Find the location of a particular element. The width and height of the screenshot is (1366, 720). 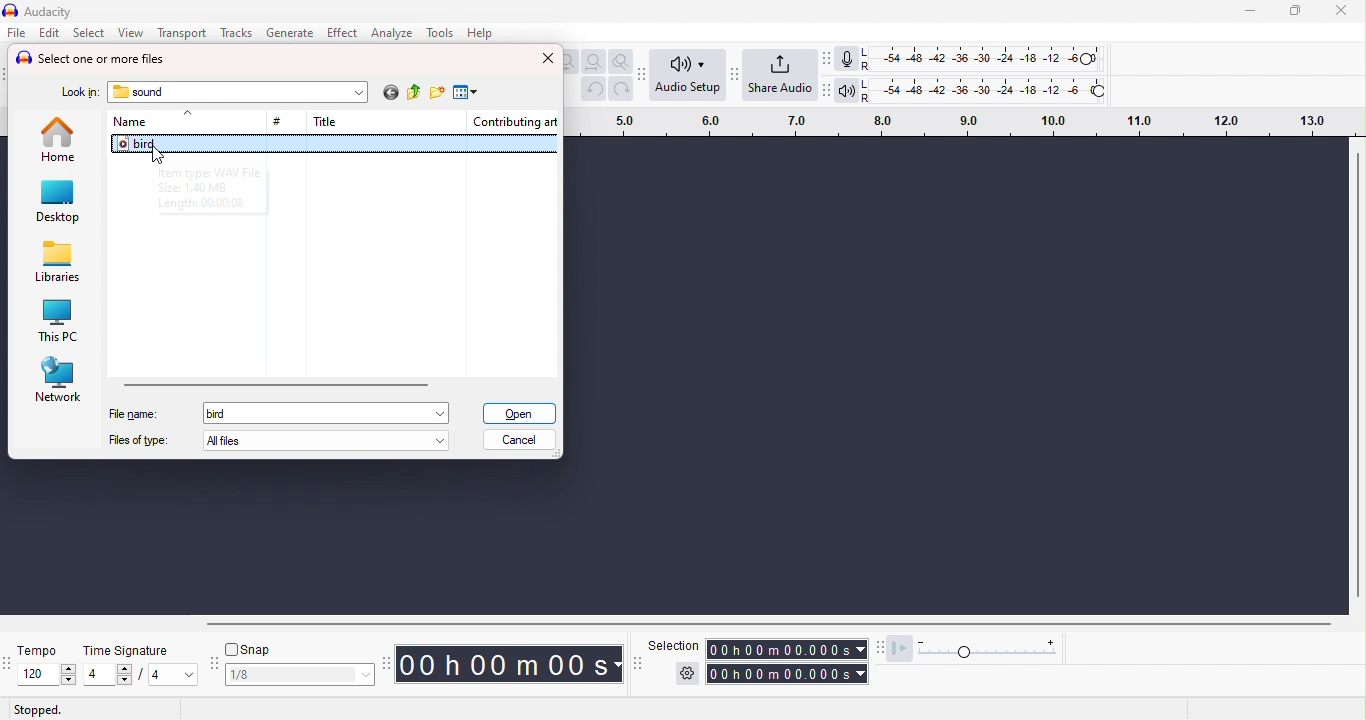

edit is located at coordinates (50, 33).